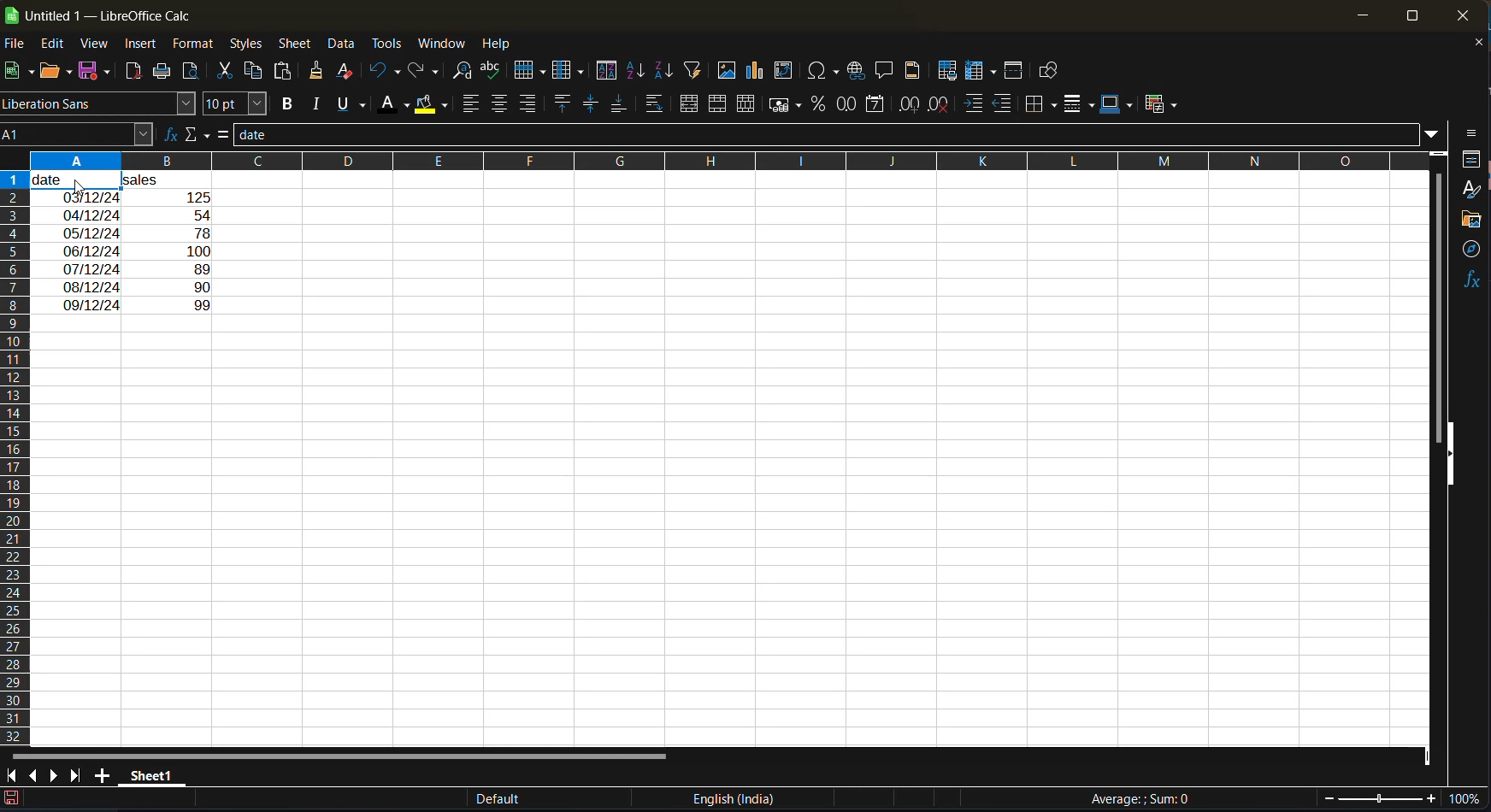 Image resolution: width=1491 pixels, height=812 pixels. What do you see at coordinates (386, 72) in the screenshot?
I see `undo` at bounding box center [386, 72].